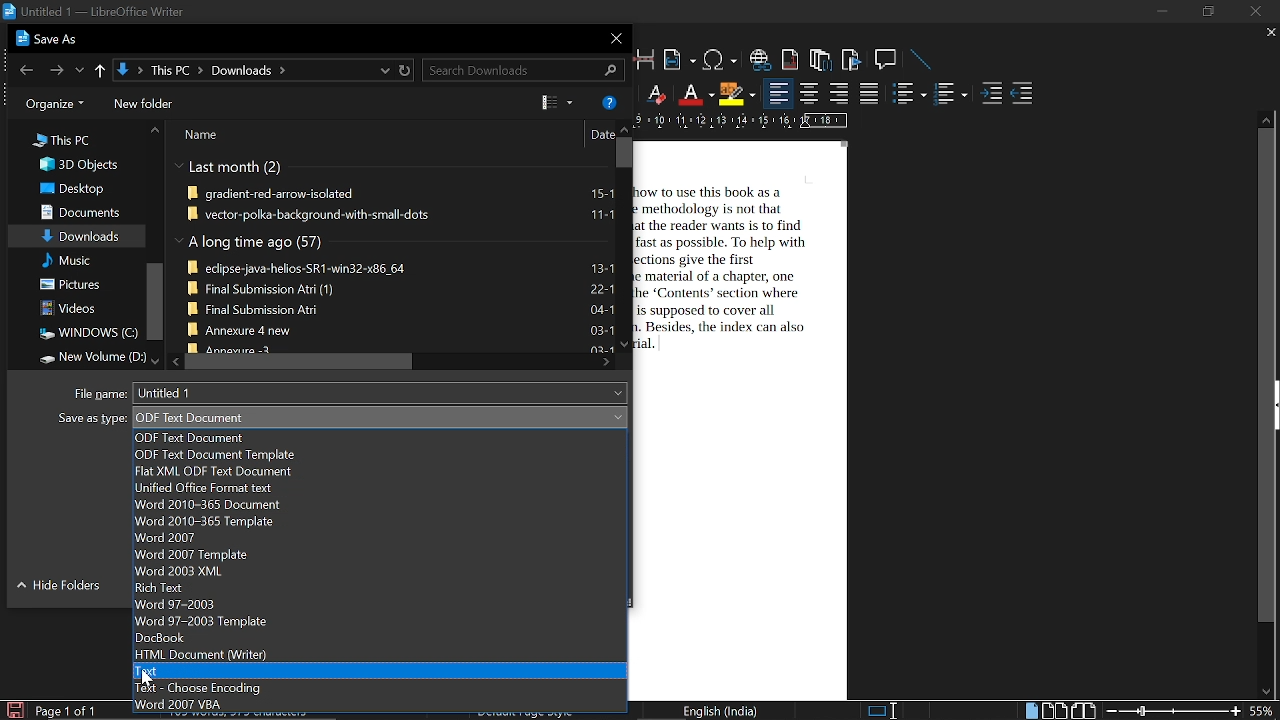 The image size is (1280, 720). What do you see at coordinates (600, 136) in the screenshot?
I see `Date` at bounding box center [600, 136].